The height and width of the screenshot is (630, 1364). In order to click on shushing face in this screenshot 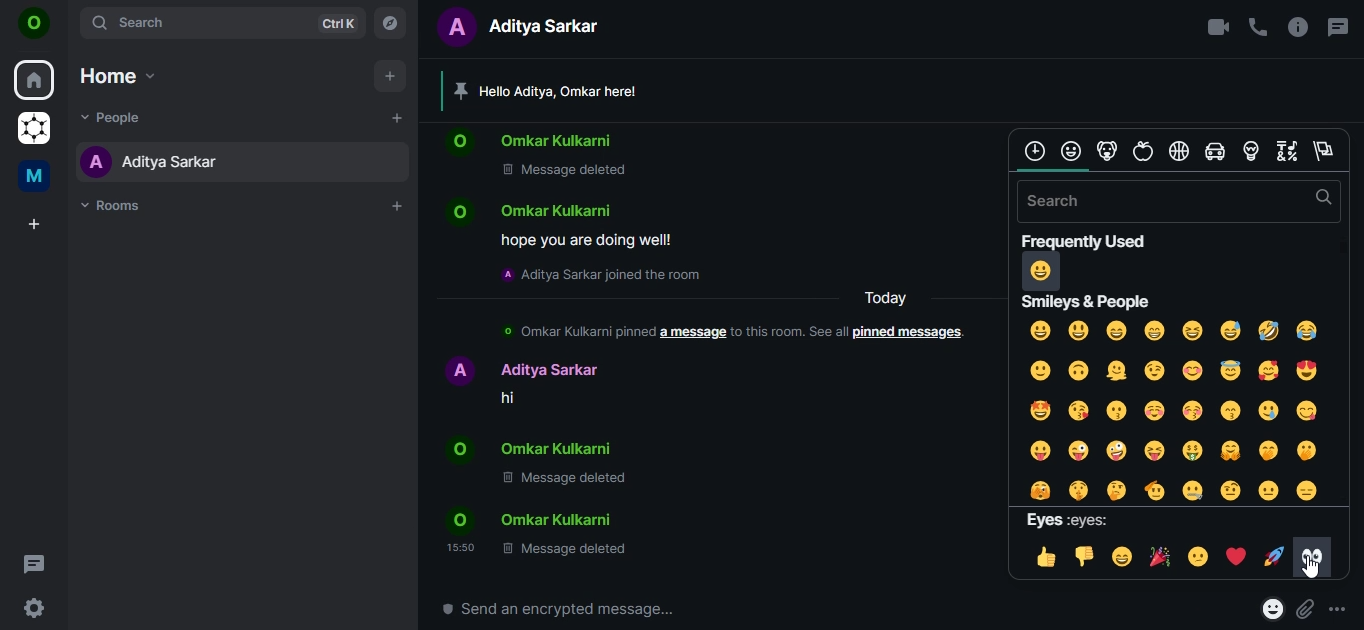, I will do `click(1078, 492)`.